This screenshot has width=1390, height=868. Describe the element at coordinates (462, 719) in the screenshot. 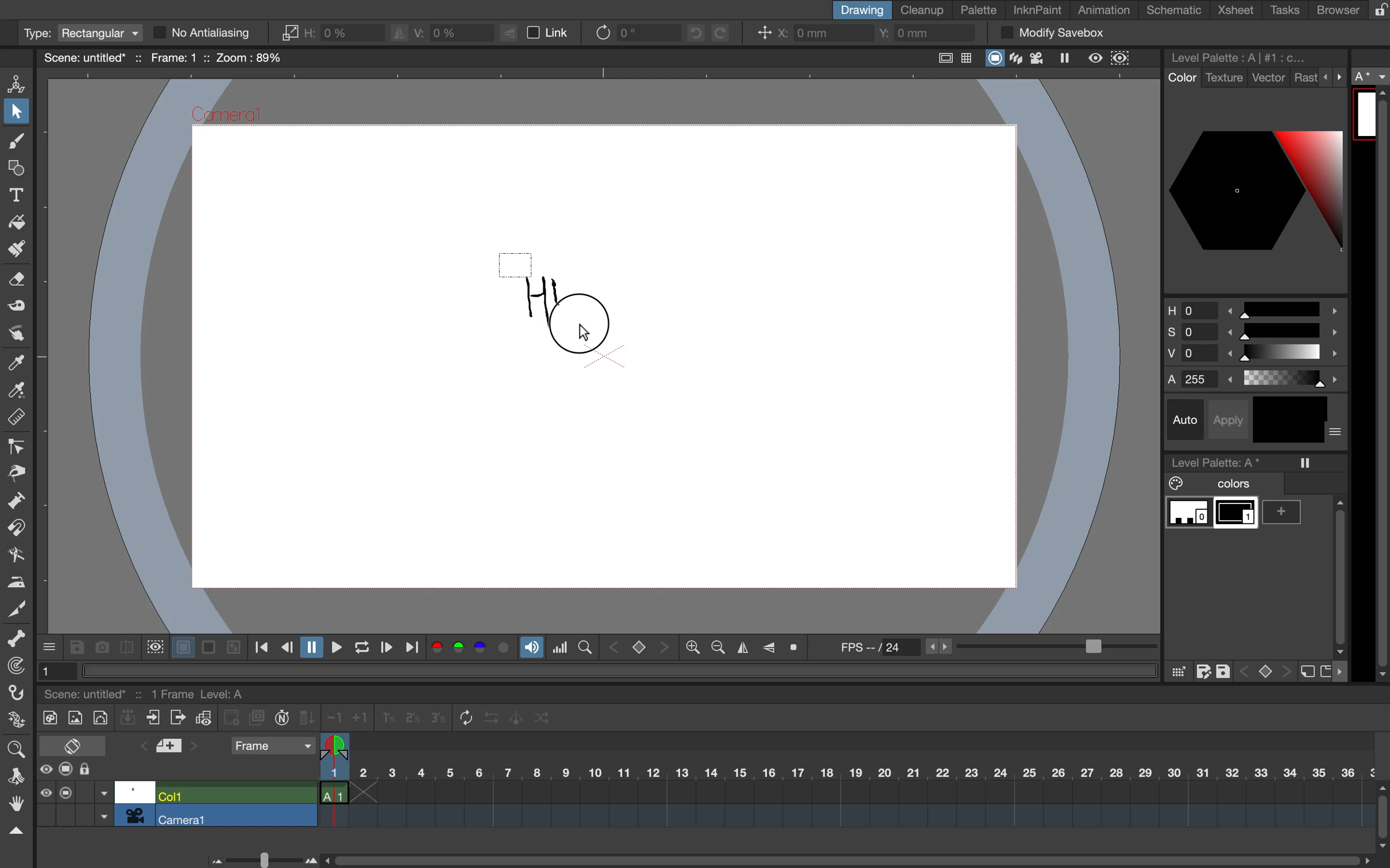

I see `repeat` at that location.